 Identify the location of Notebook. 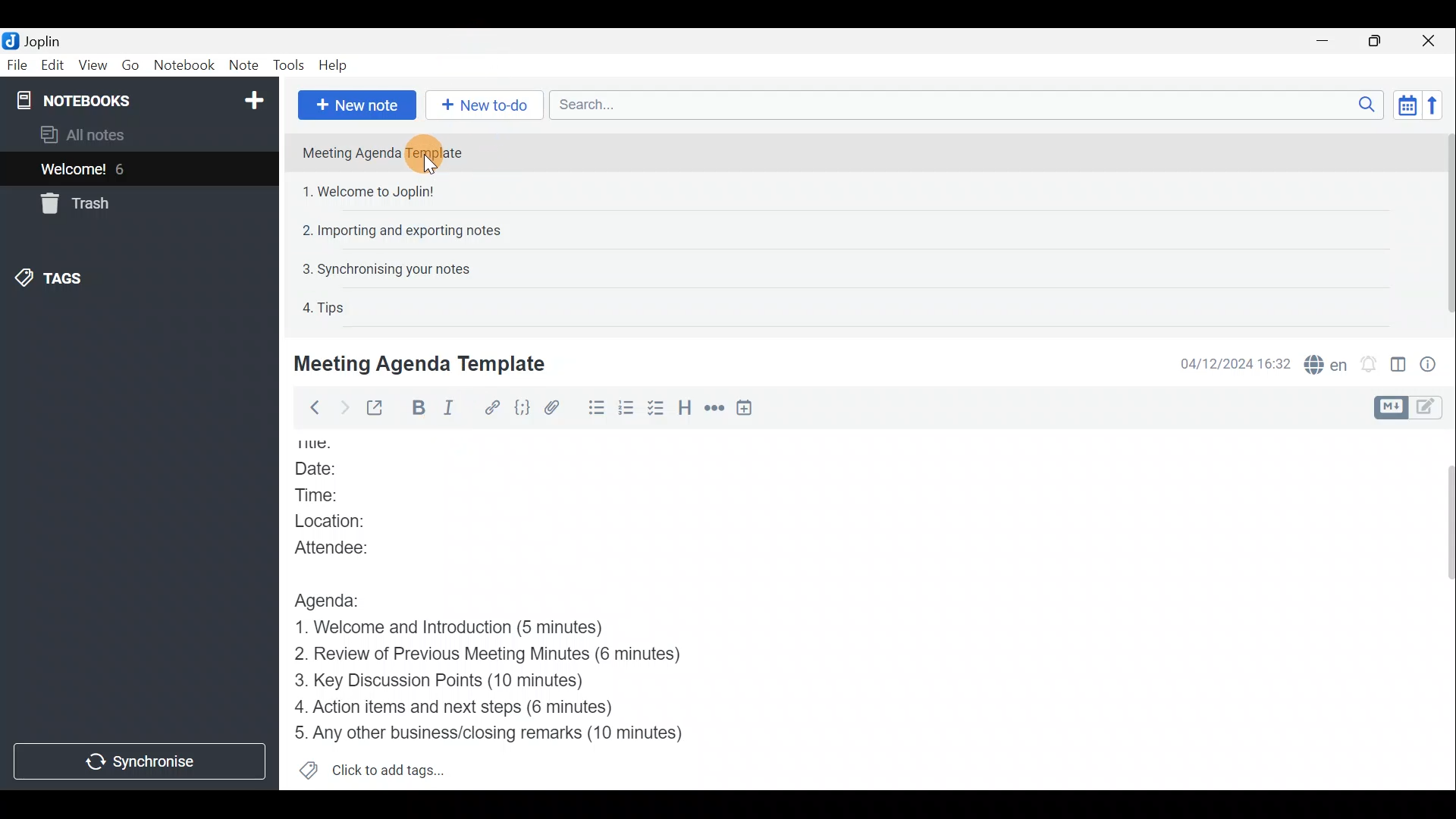
(183, 64).